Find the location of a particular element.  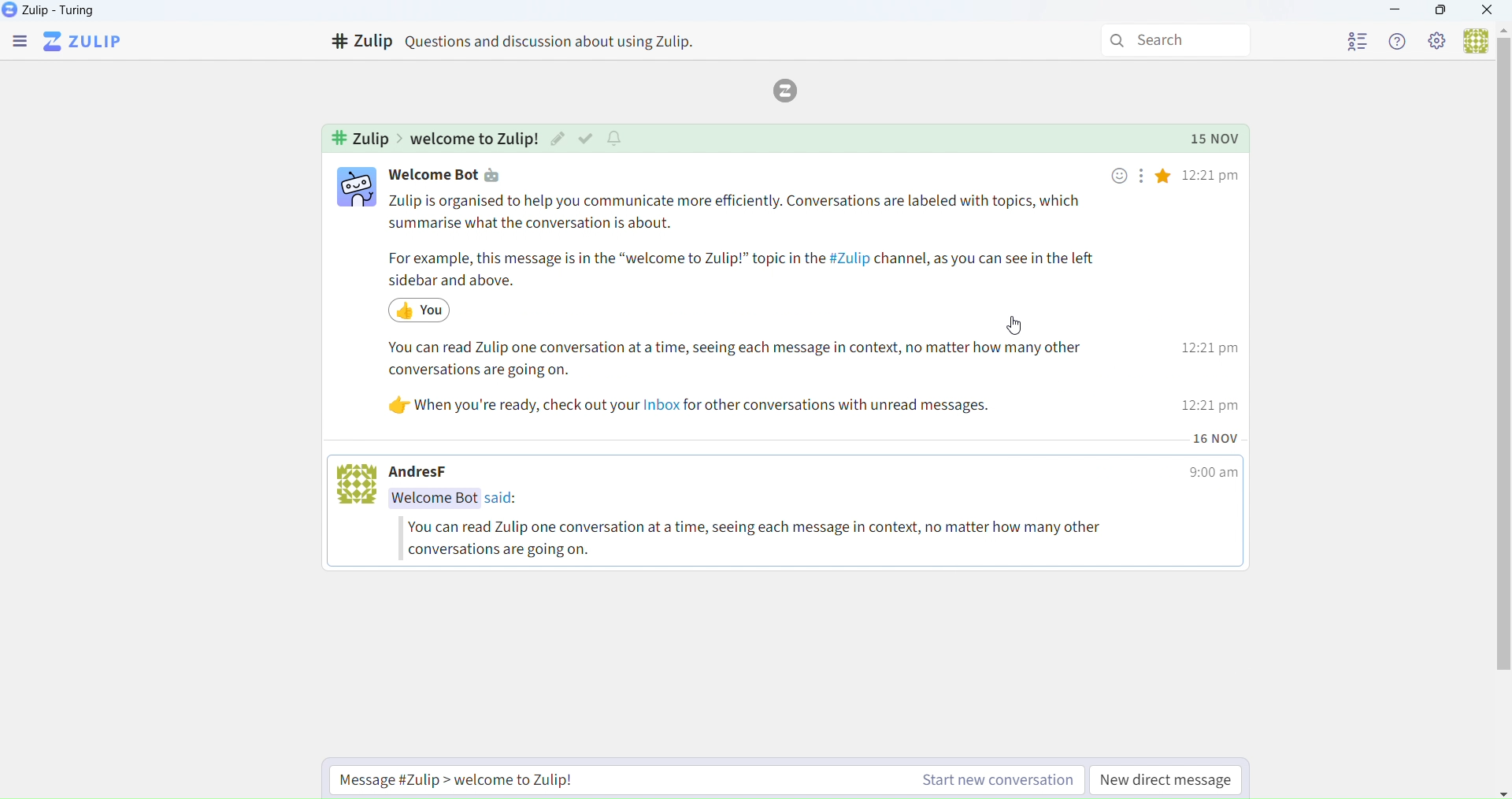

vertical scroll bar is located at coordinates (1502, 370).